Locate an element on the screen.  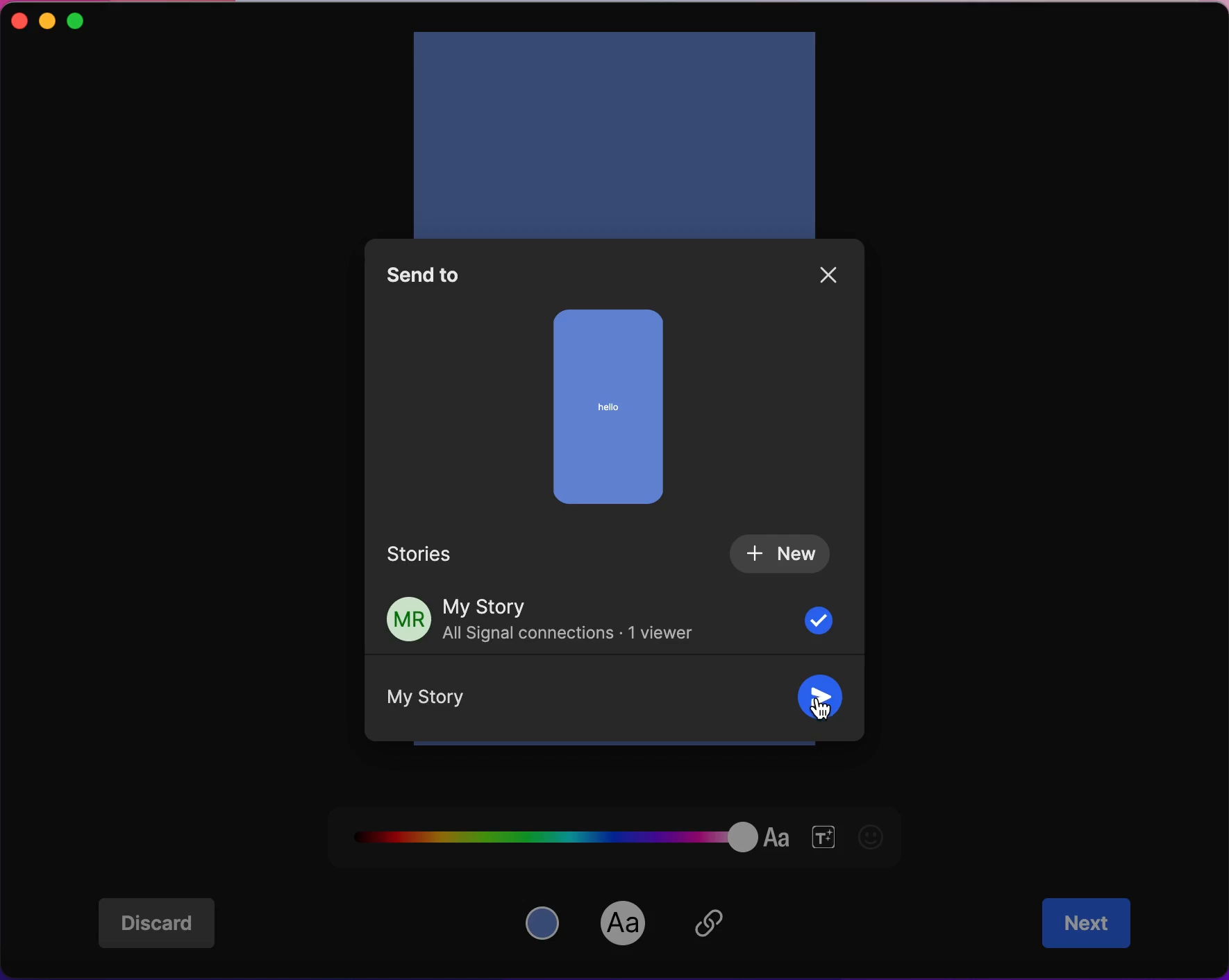
insert is located at coordinates (727, 928).